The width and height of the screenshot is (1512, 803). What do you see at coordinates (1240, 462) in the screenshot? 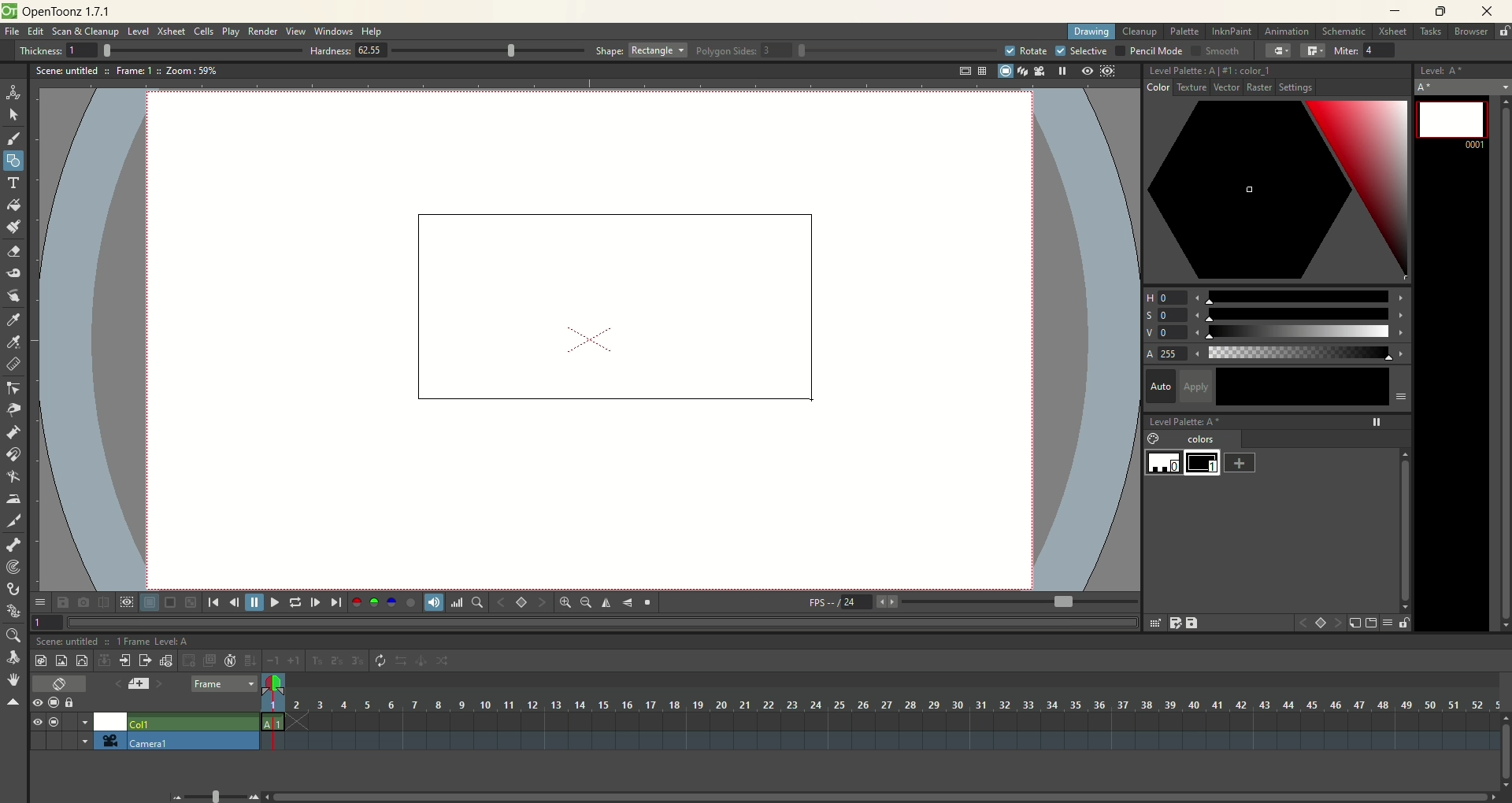
I see `Add color` at bounding box center [1240, 462].